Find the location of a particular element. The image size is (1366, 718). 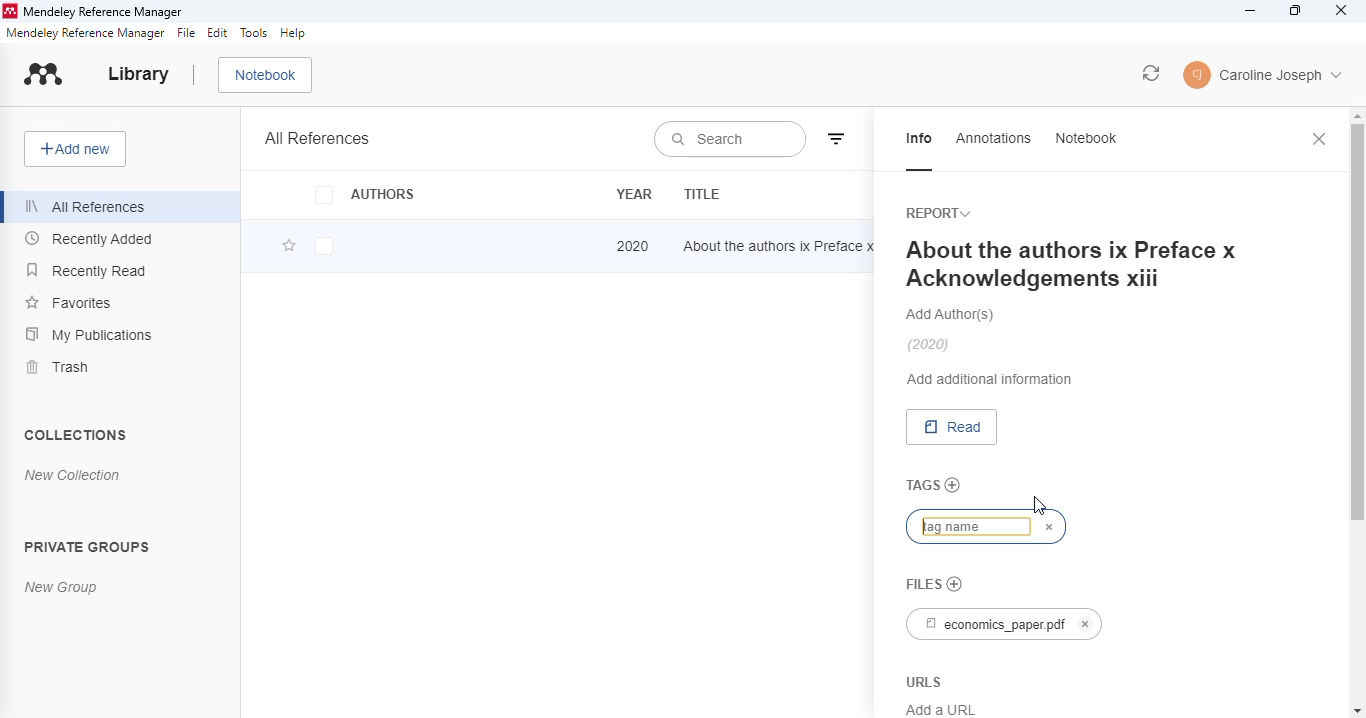

mendeley reference manager is located at coordinates (104, 12).